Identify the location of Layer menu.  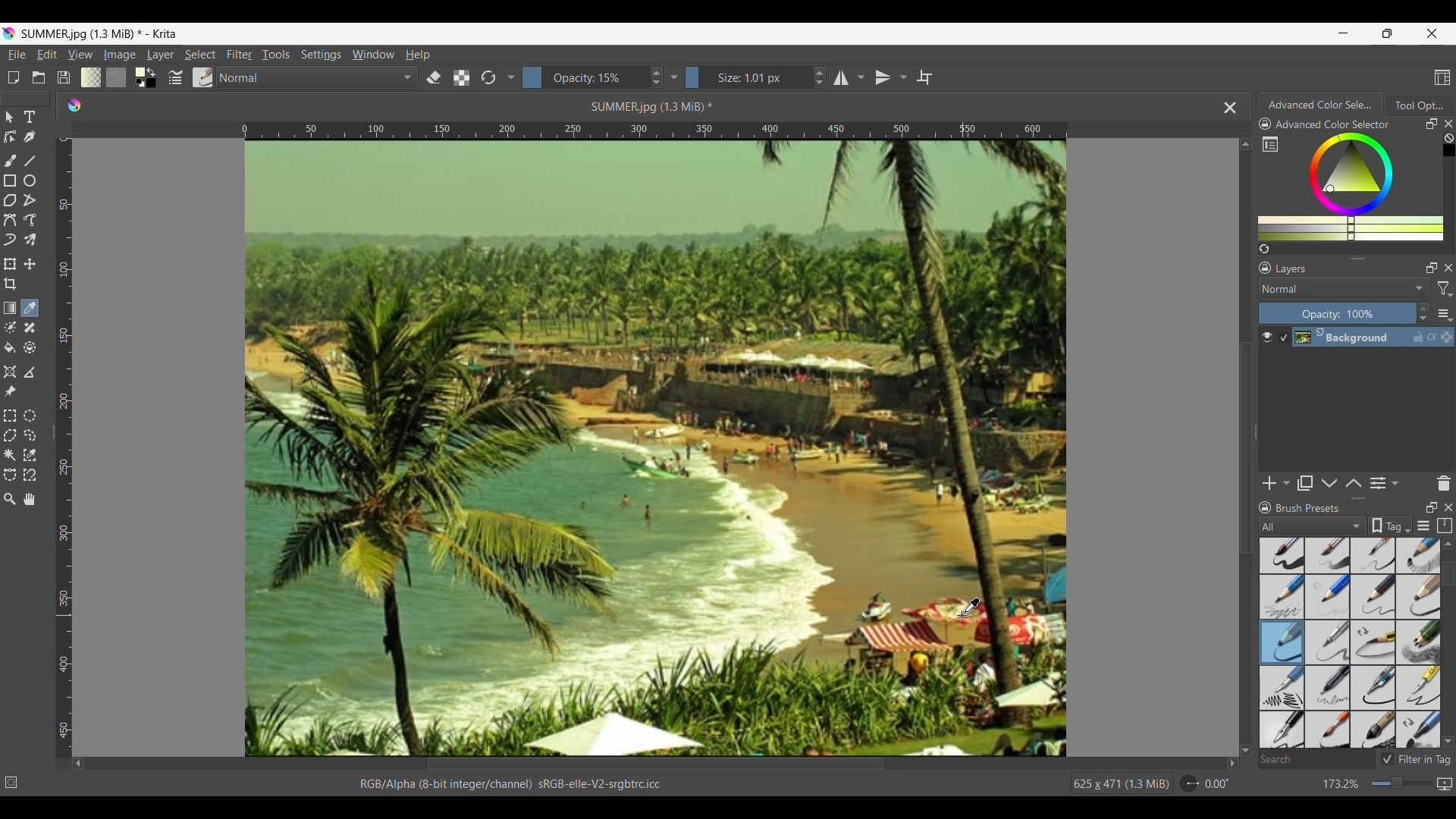
(159, 55).